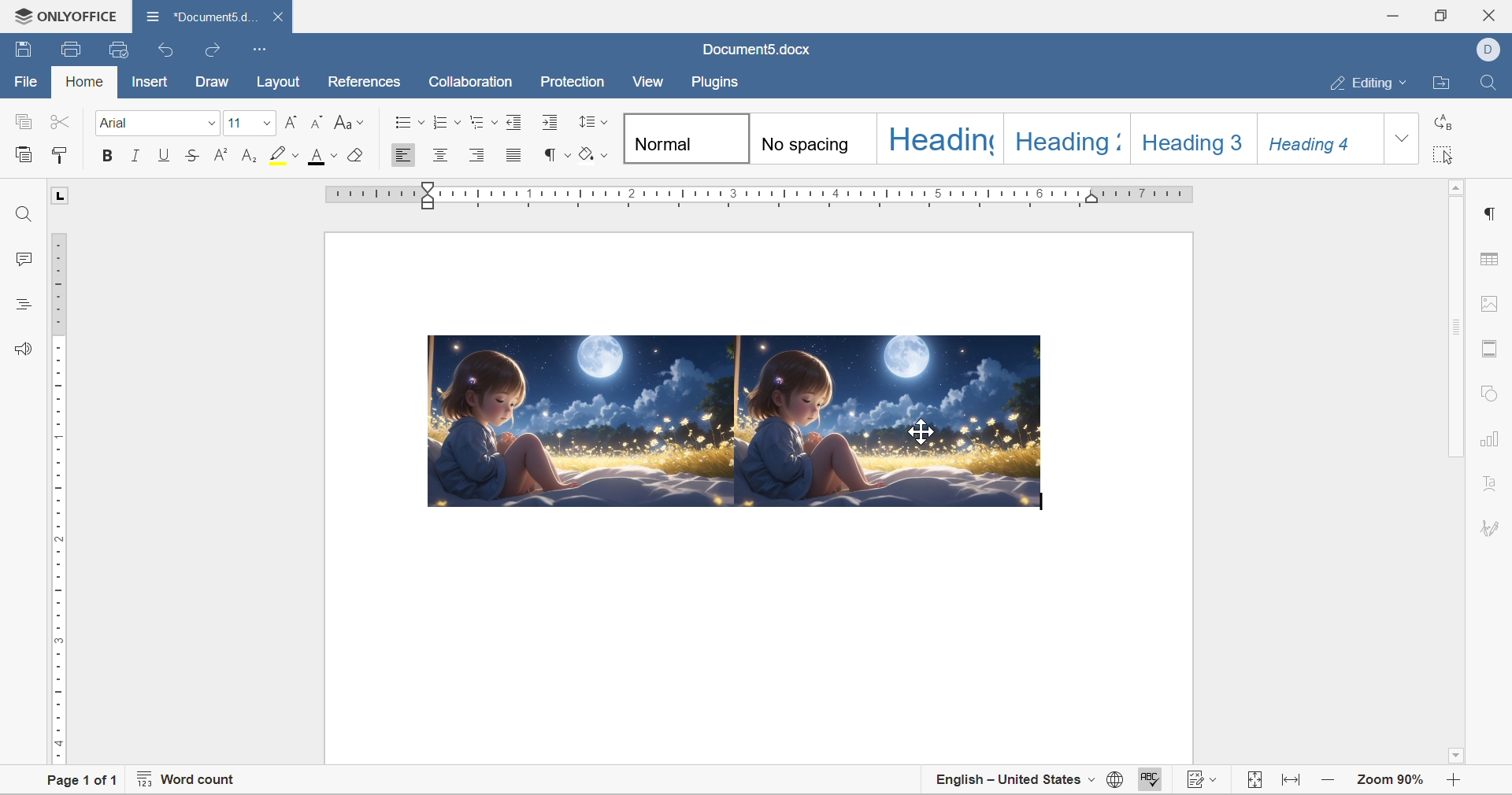  What do you see at coordinates (66, 16) in the screenshot?
I see `ONLYOFFICE` at bounding box center [66, 16].